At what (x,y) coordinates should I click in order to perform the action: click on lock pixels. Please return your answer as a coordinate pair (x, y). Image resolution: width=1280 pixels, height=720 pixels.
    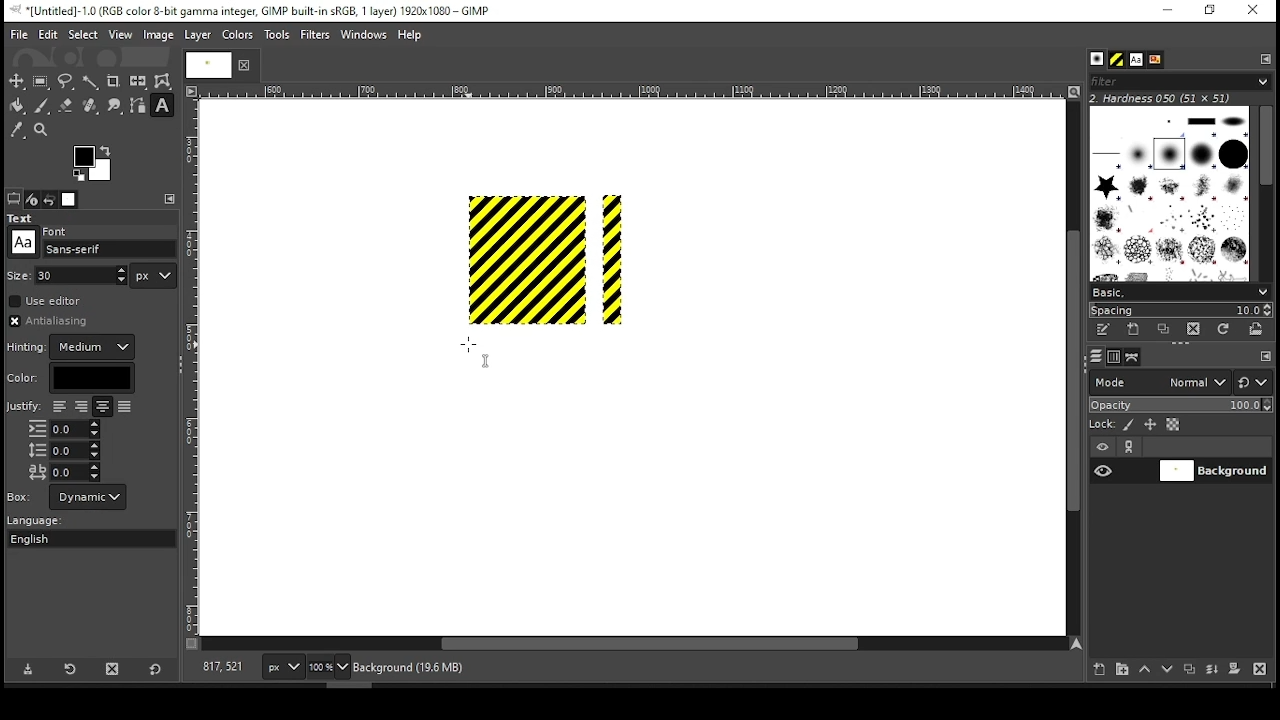
    Looking at the image, I should click on (1132, 425).